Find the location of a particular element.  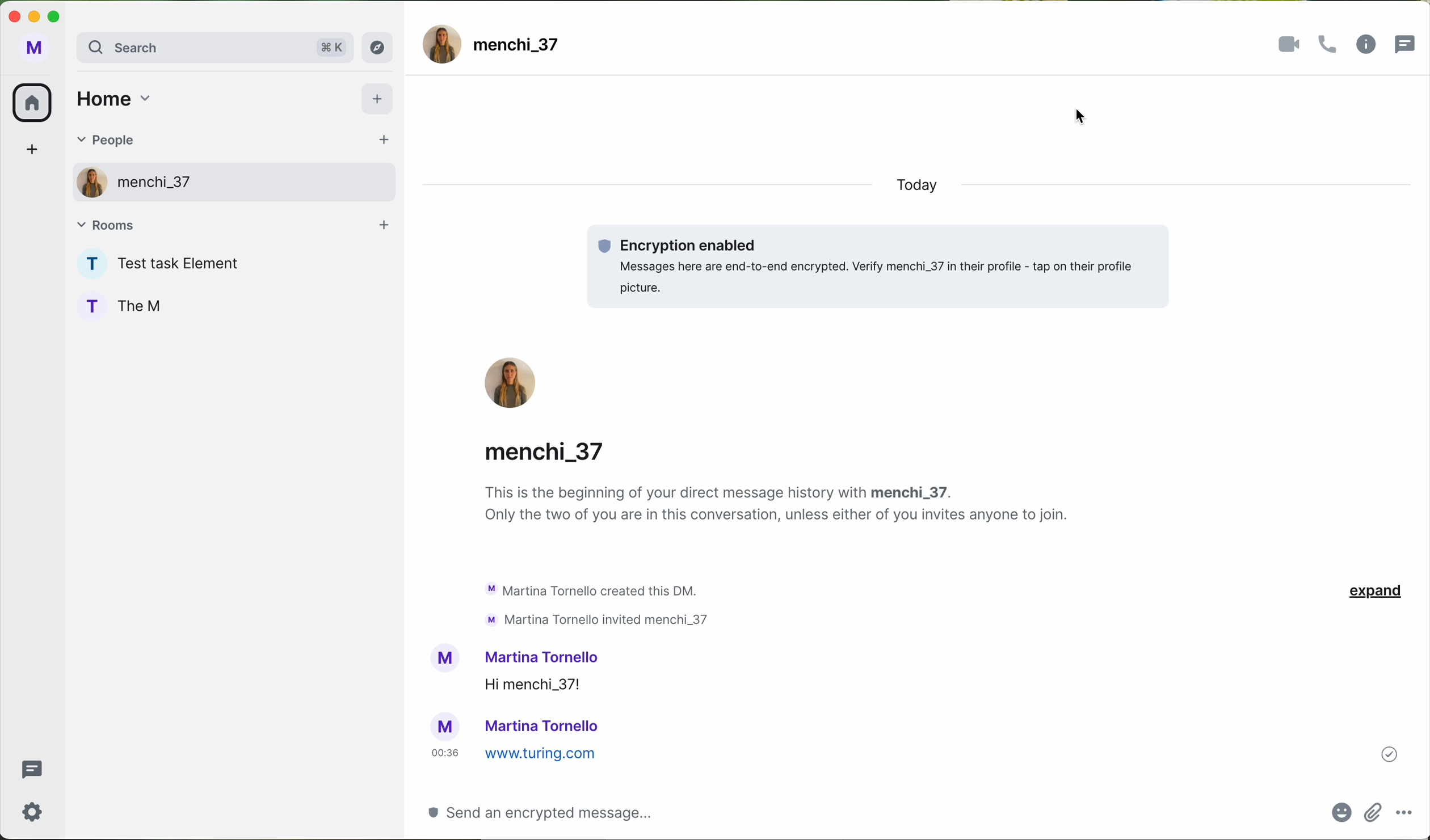

cursor is located at coordinates (1082, 117).